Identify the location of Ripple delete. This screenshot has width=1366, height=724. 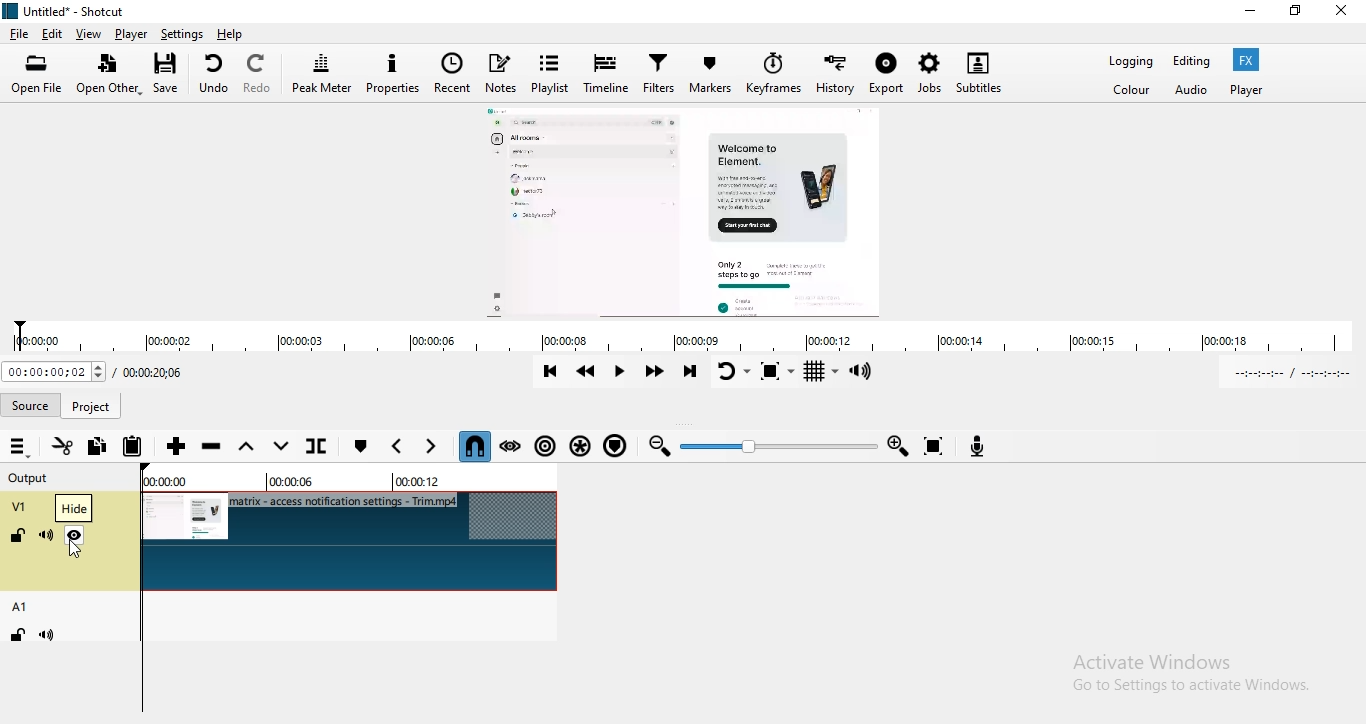
(213, 448).